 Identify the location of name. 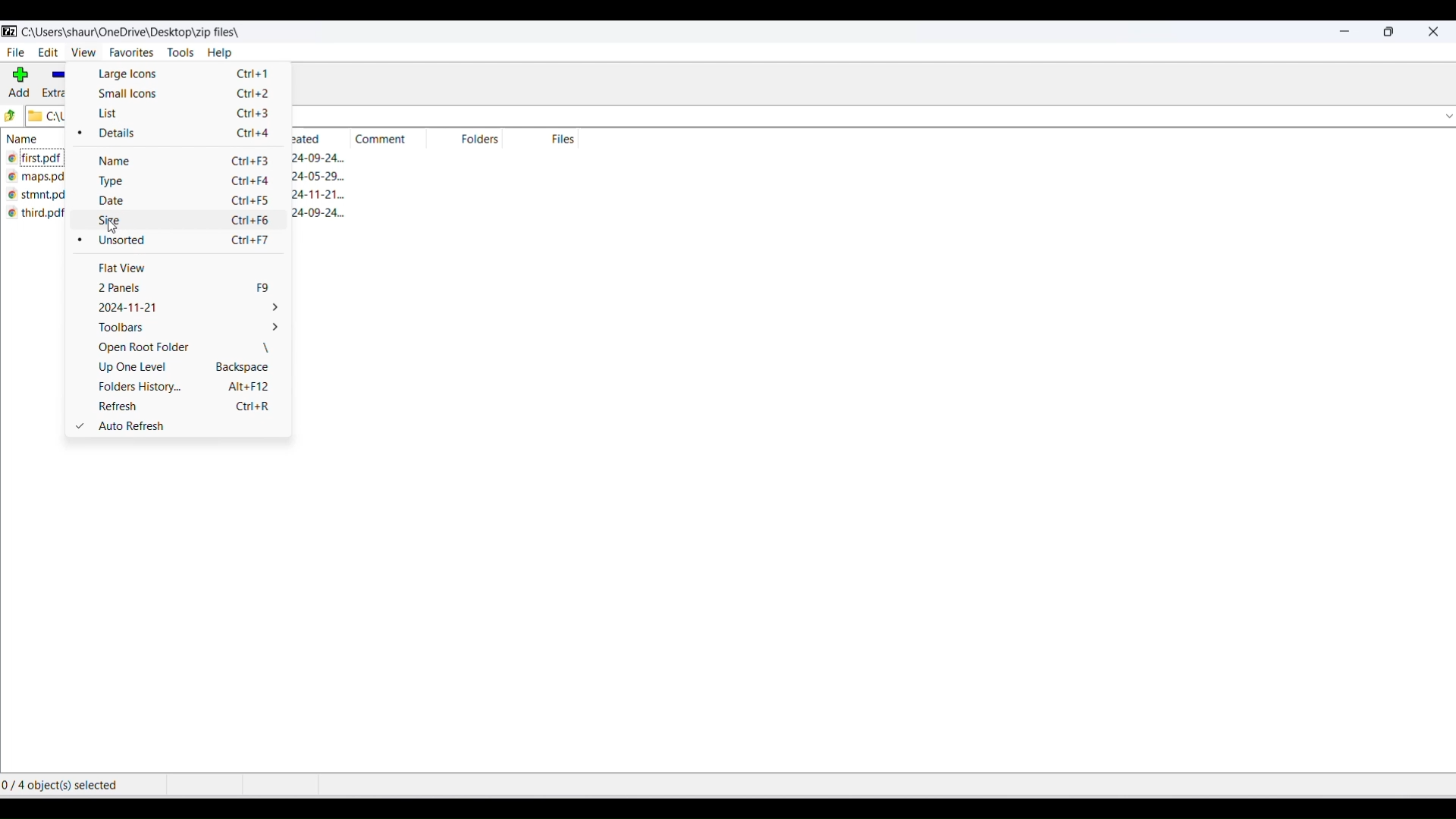
(183, 162).